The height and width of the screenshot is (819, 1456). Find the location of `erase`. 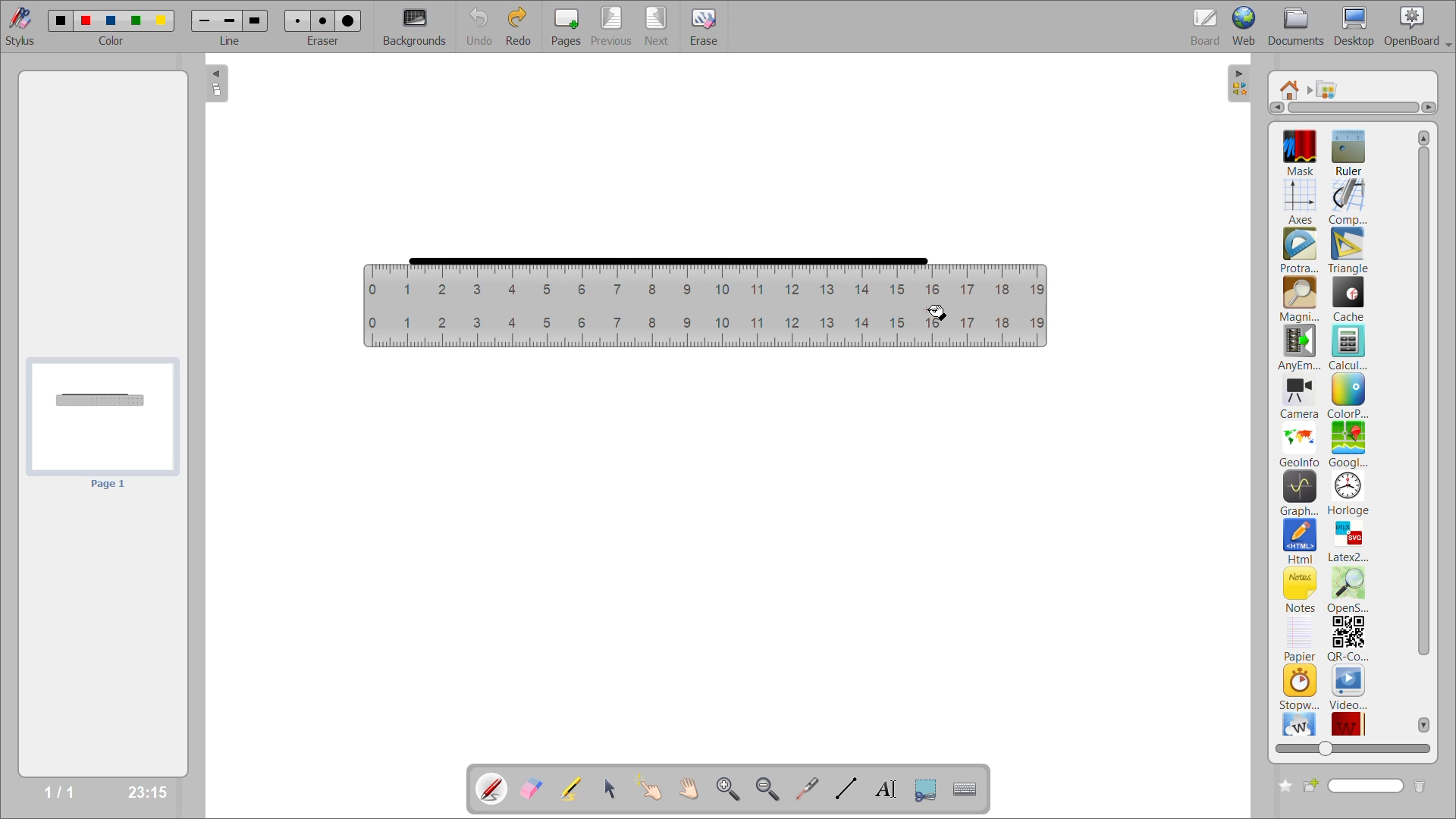

erase is located at coordinates (710, 27).